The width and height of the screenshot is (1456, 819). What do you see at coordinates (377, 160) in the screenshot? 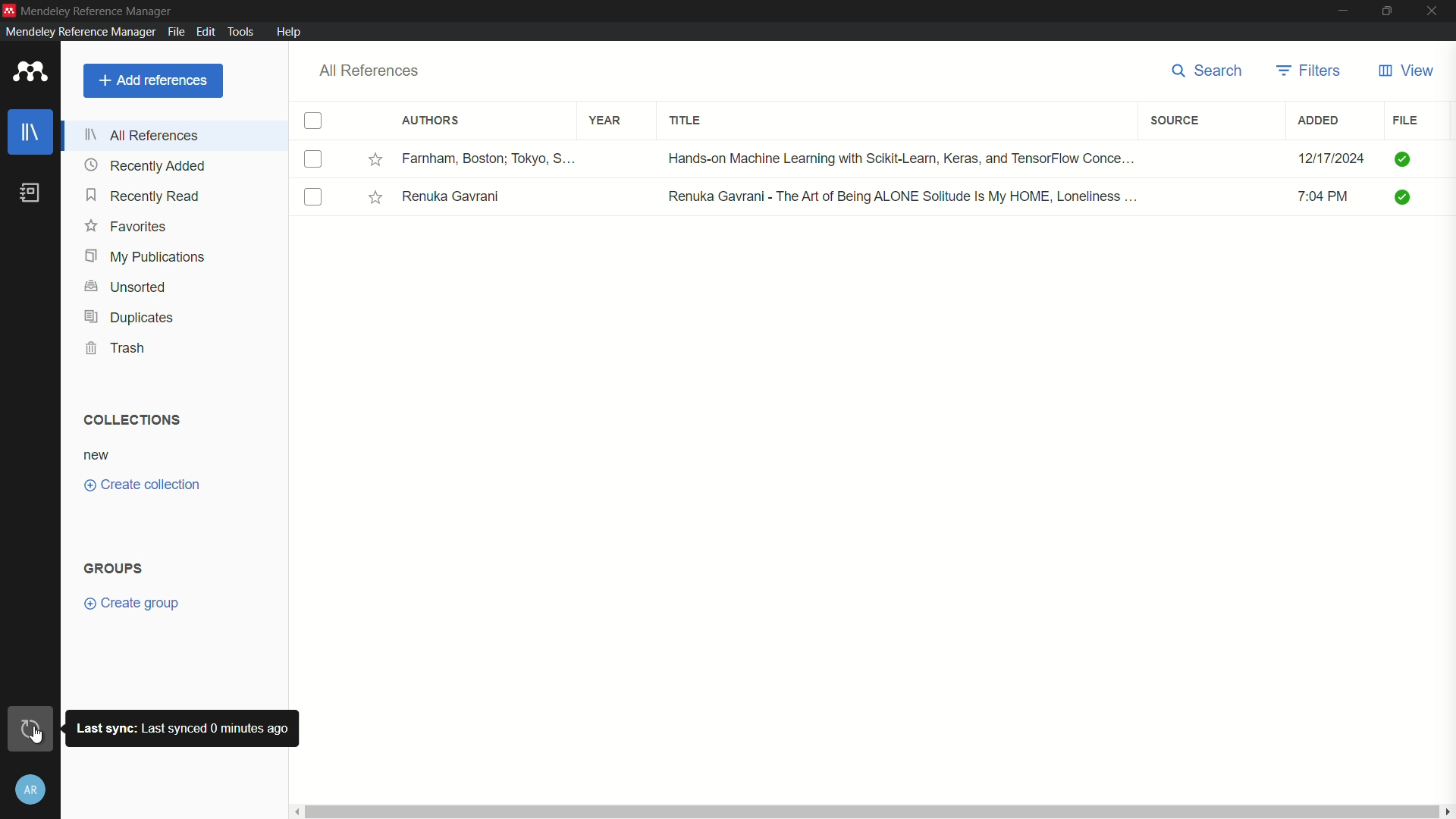
I see `Star` at bounding box center [377, 160].